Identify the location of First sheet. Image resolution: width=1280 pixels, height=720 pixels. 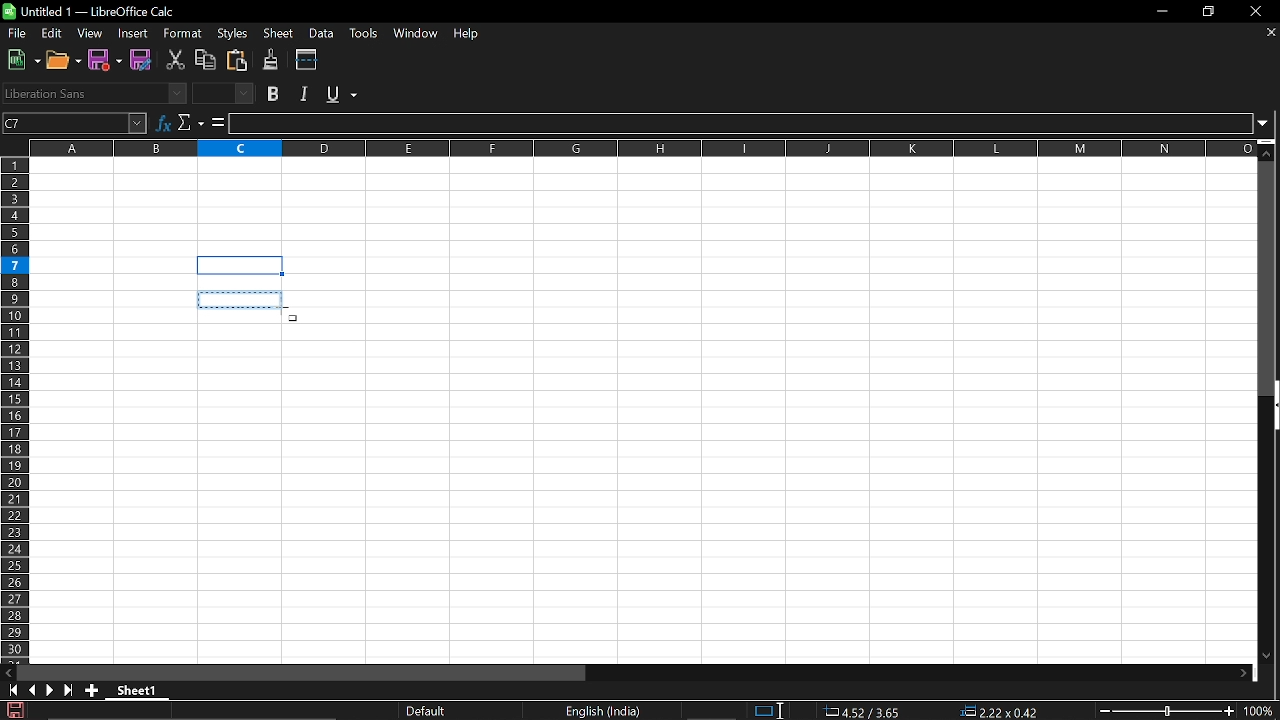
(10, 690).